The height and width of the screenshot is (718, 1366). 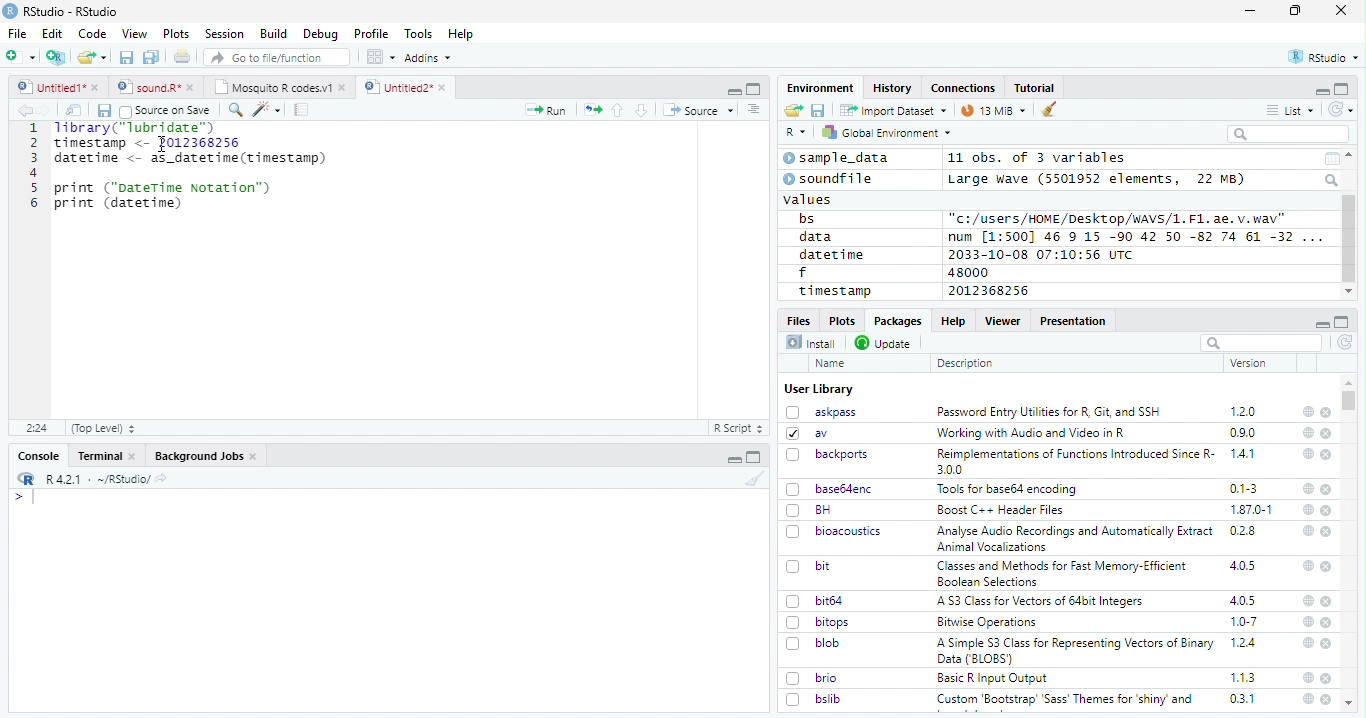 What do you see at coordinates (1326, 699) in the screenshot?
I see `close` at bounding box center [1326, 699].